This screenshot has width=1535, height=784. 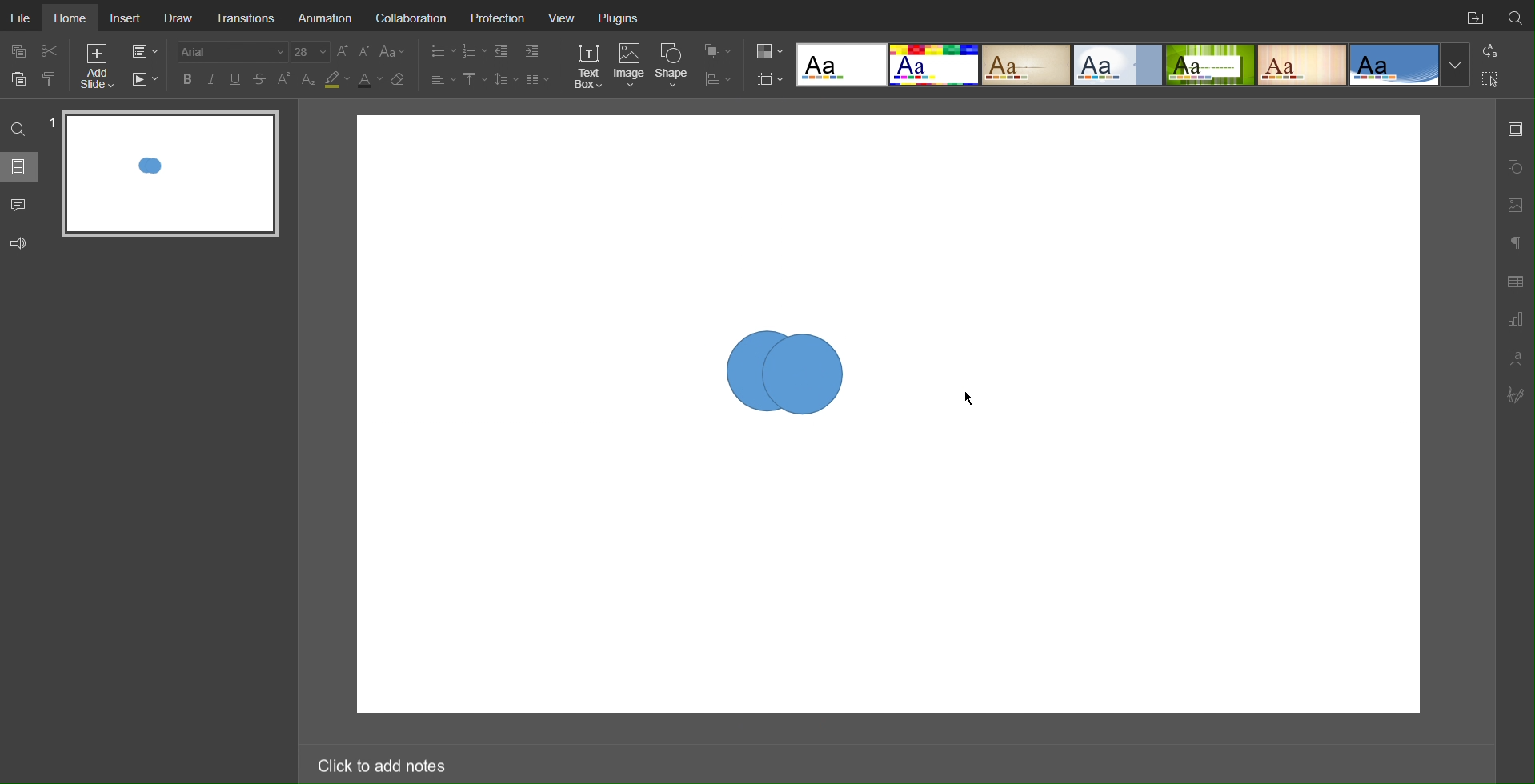 I want to click on Transitions, so click(x=246, y=17).